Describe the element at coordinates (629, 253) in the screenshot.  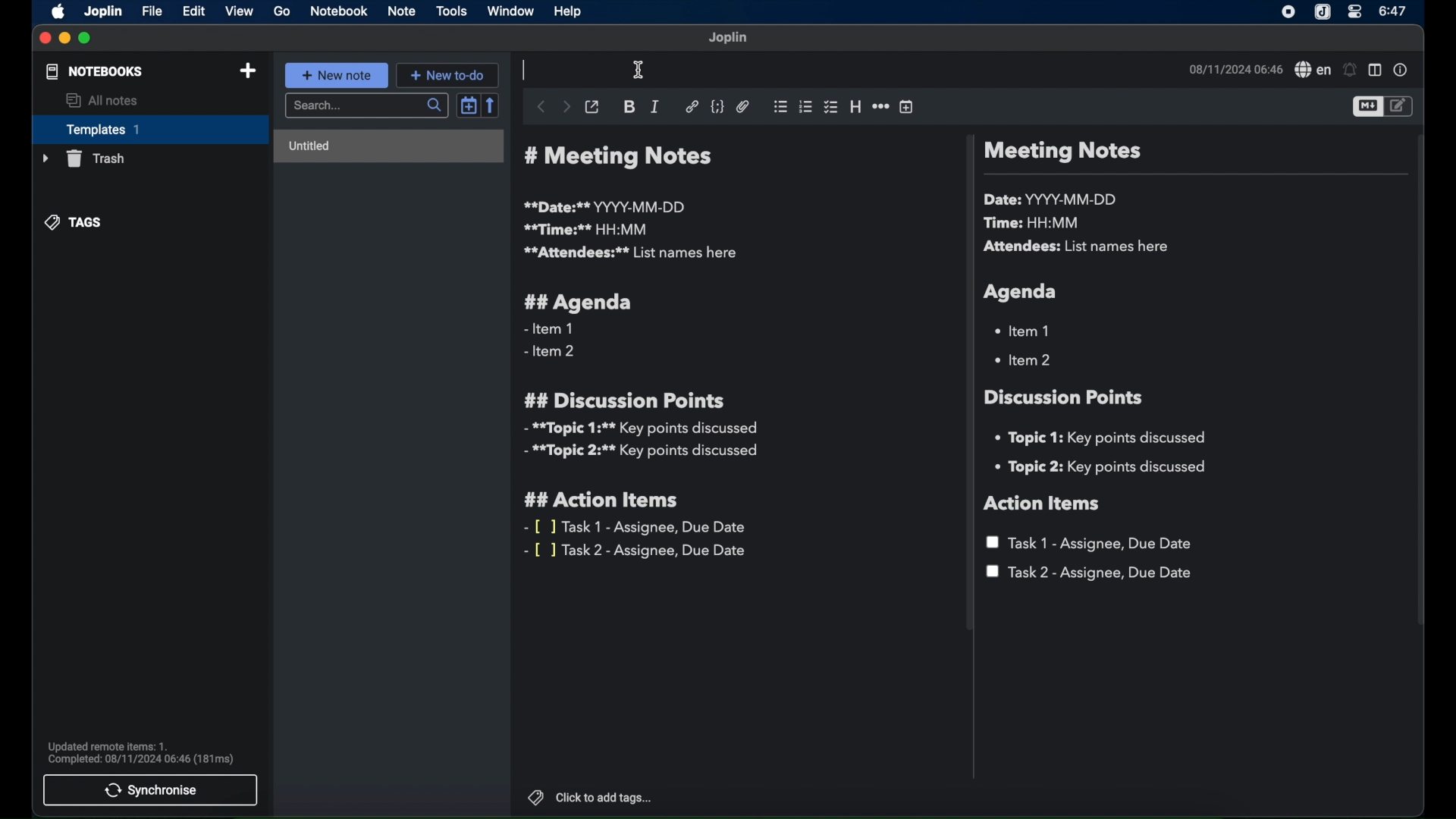
I see `**attendees:** list names here` at that location.